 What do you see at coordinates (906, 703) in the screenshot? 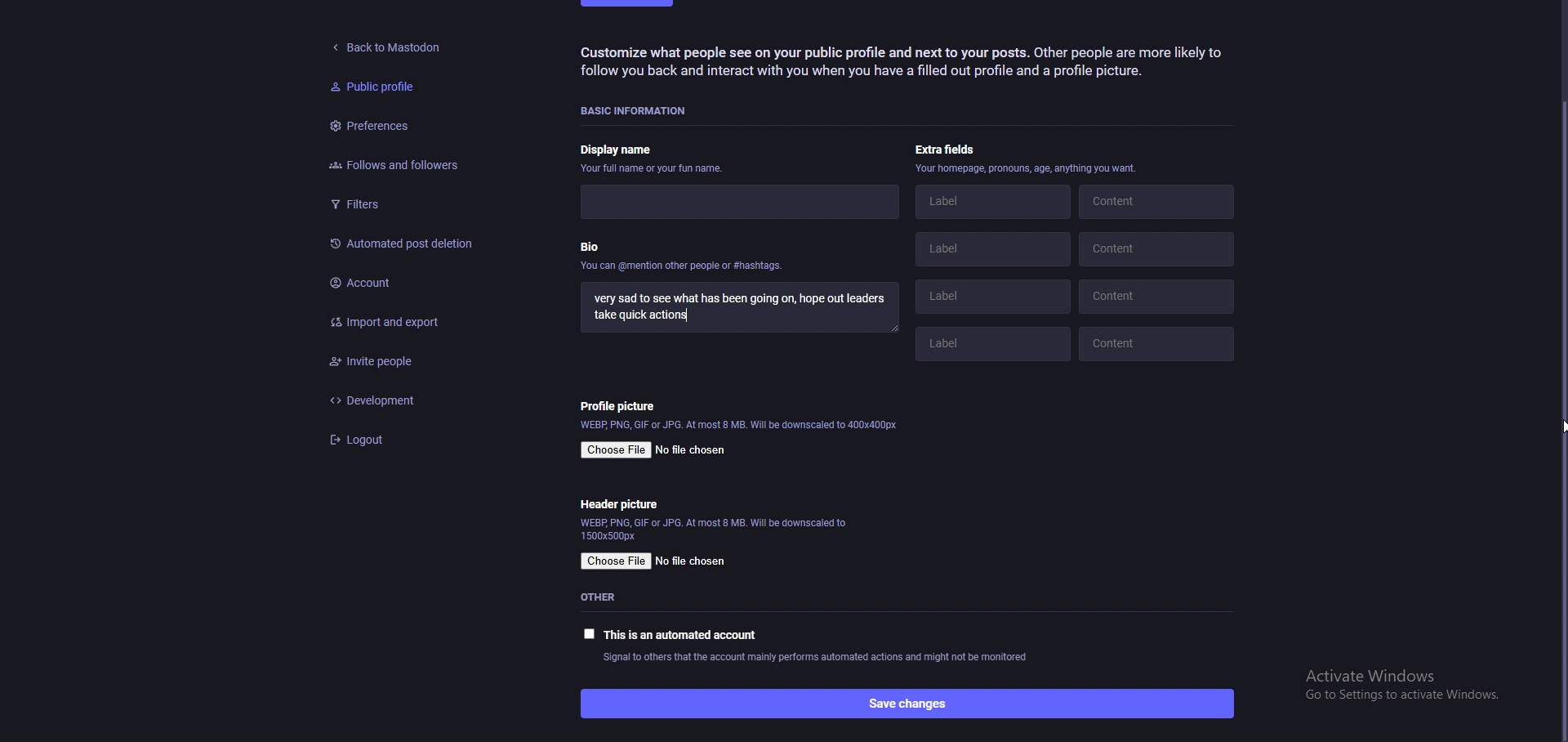
I see `save changes` at bounding box center [906, 703].